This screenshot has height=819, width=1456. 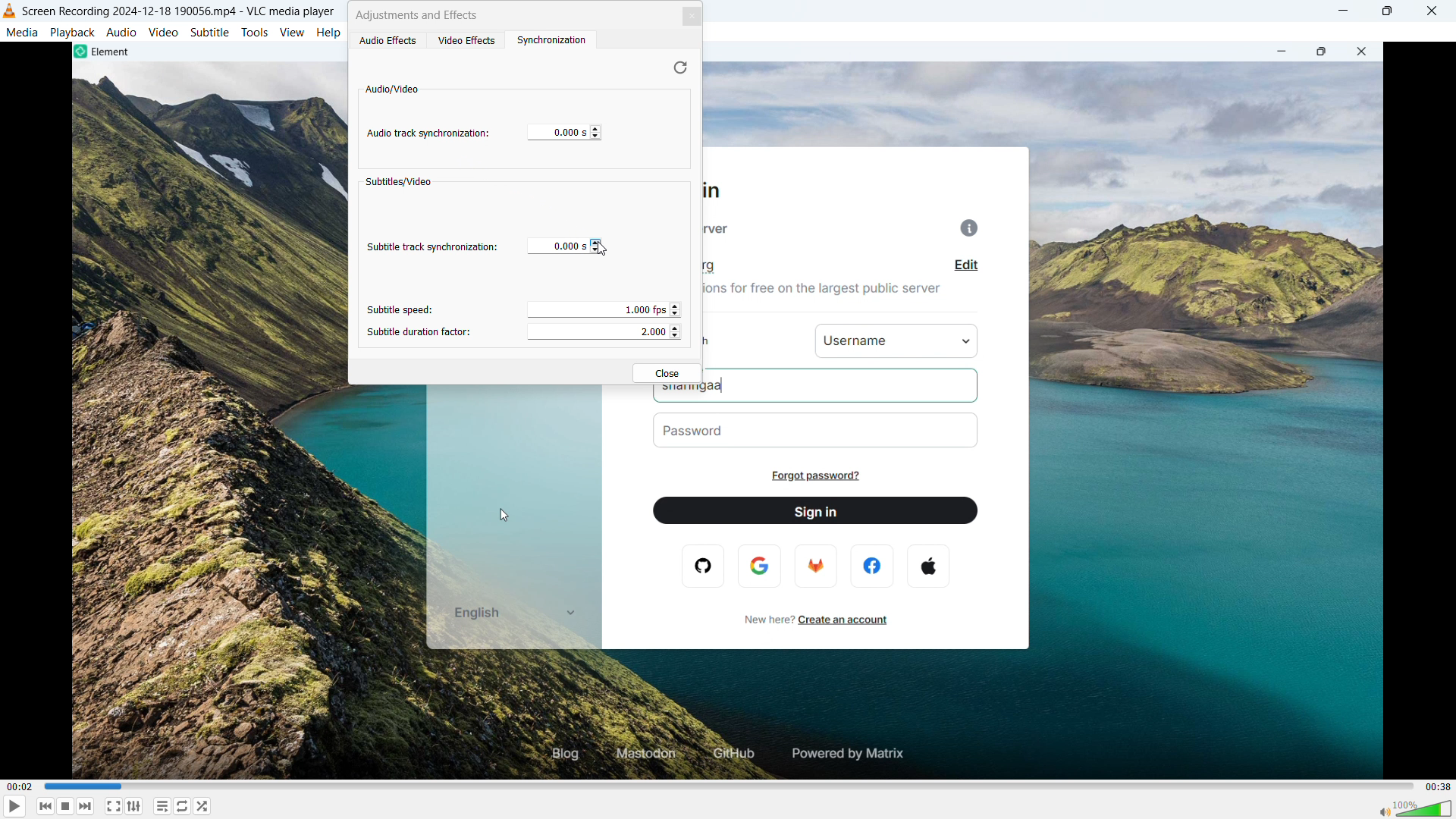 What do you see at coordinates (330, 32) in the screenshot?
I see `help` at bounding box center [330, 32].